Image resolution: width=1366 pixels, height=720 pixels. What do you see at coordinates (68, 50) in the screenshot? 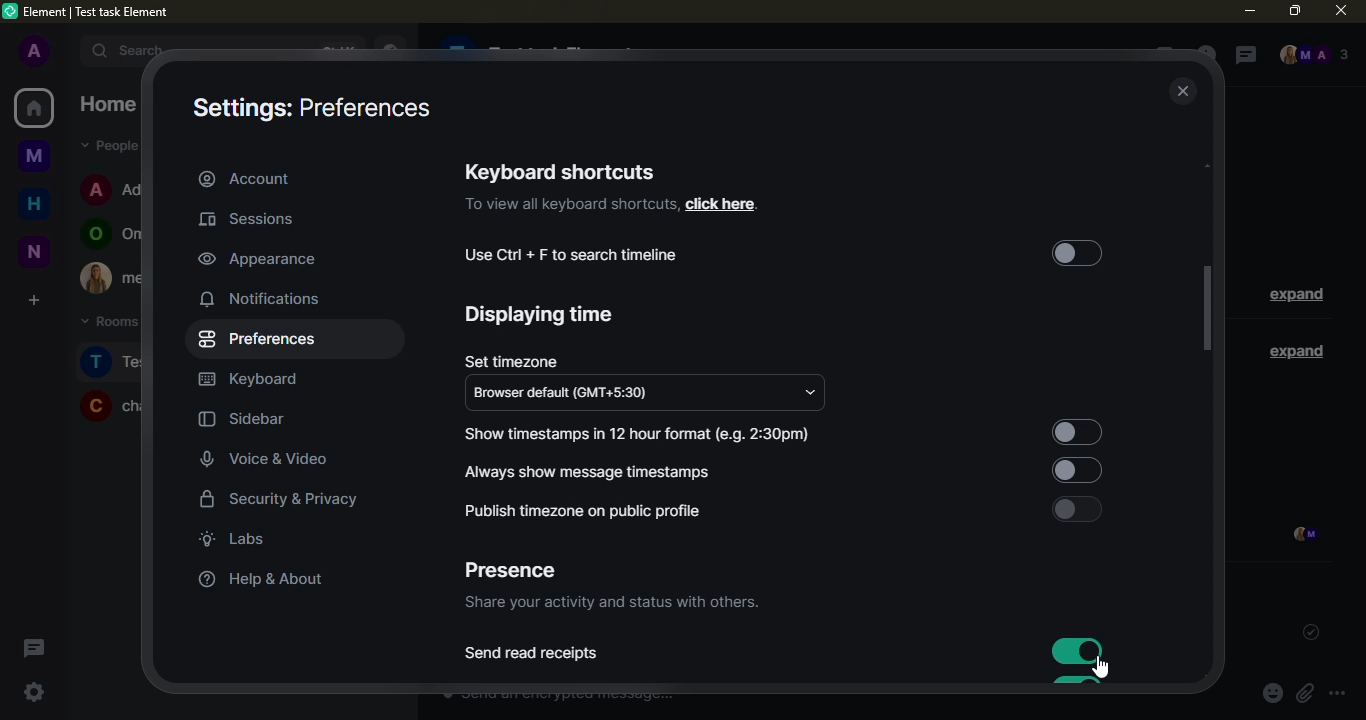
I see `expand` at bounding box center [68, 50].